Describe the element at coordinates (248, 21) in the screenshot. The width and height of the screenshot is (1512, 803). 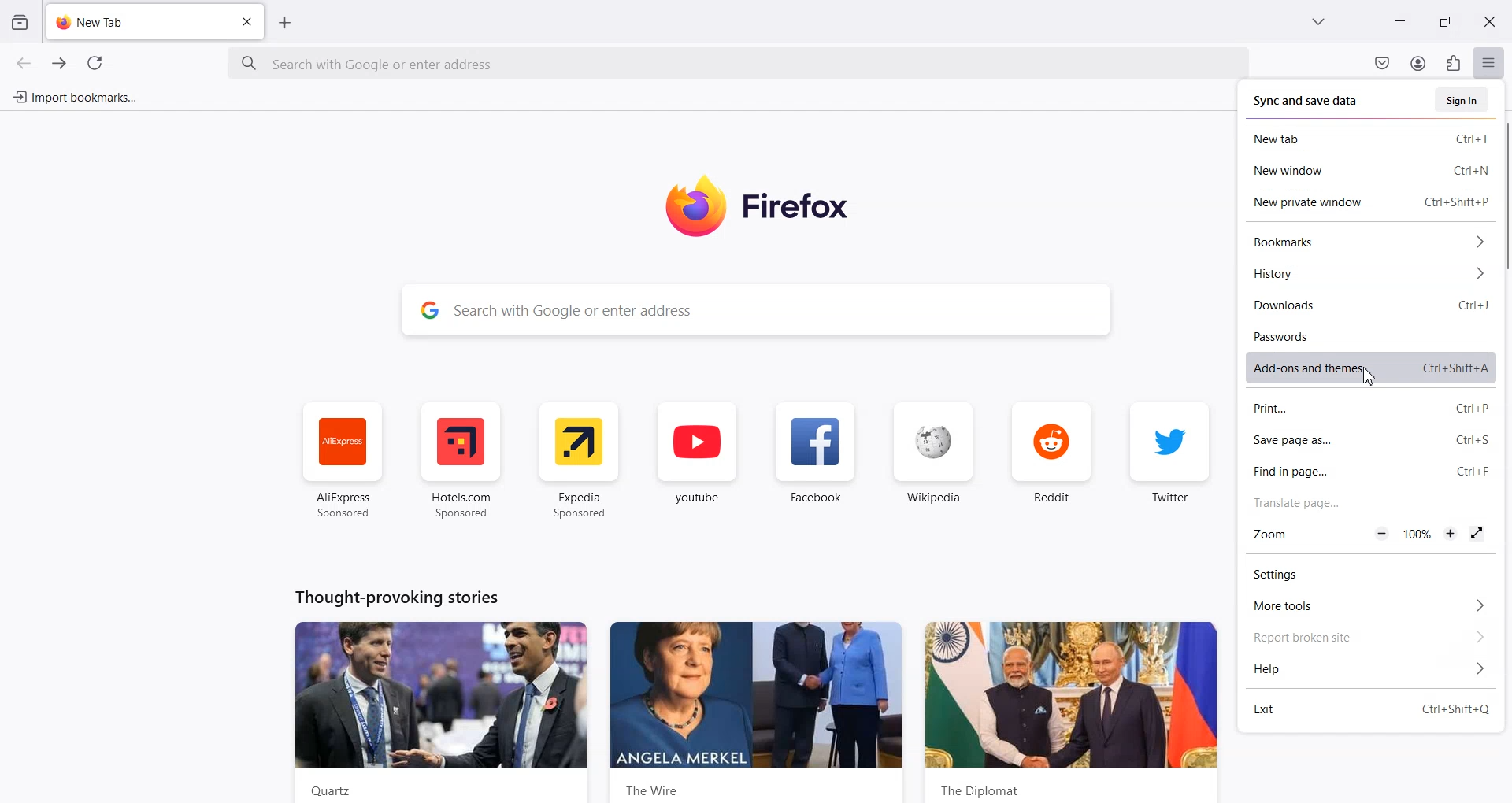
I see `Close Tab` at that location.